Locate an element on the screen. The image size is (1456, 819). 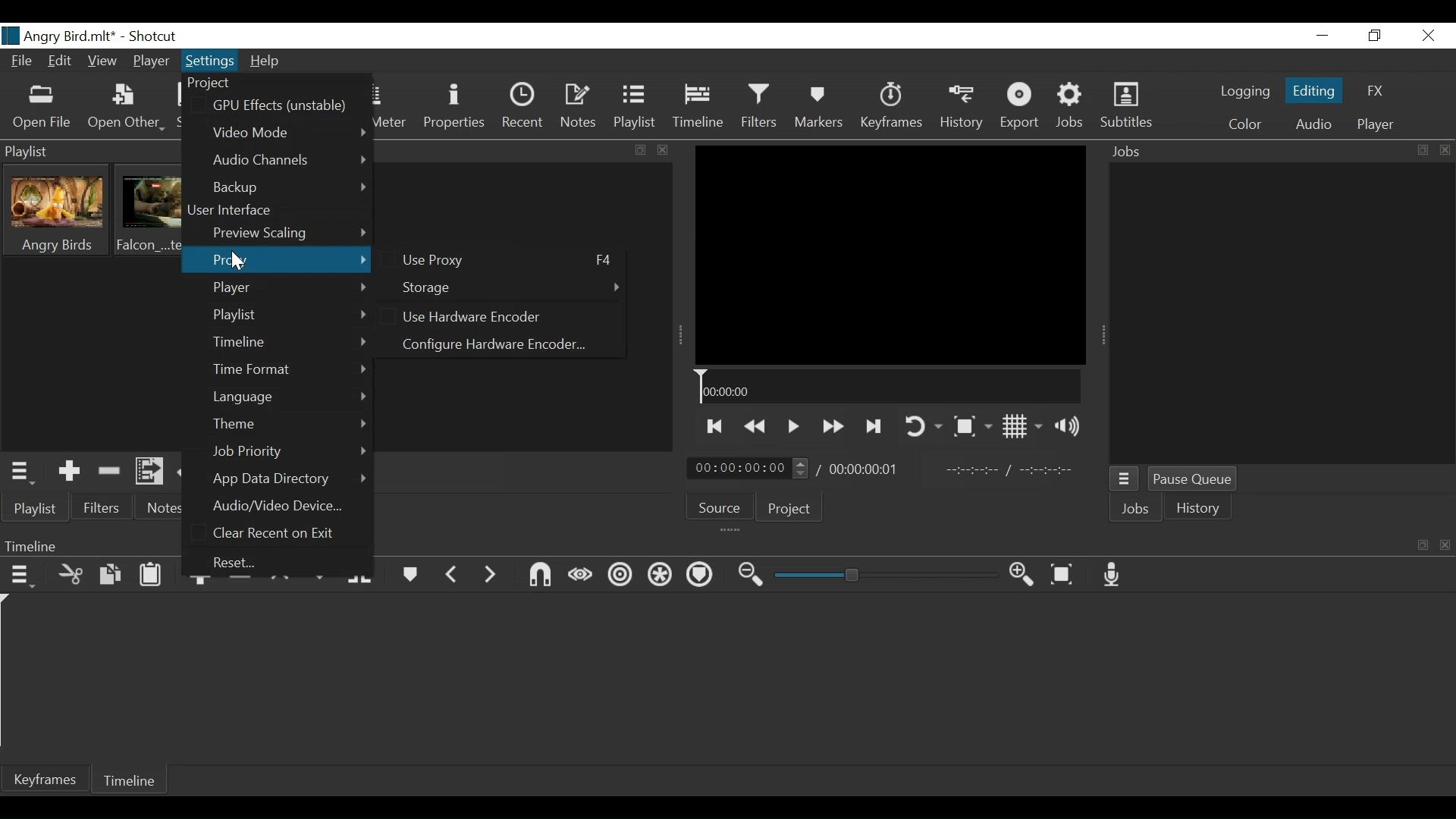
Ripple is located at coordinates (618, 575).